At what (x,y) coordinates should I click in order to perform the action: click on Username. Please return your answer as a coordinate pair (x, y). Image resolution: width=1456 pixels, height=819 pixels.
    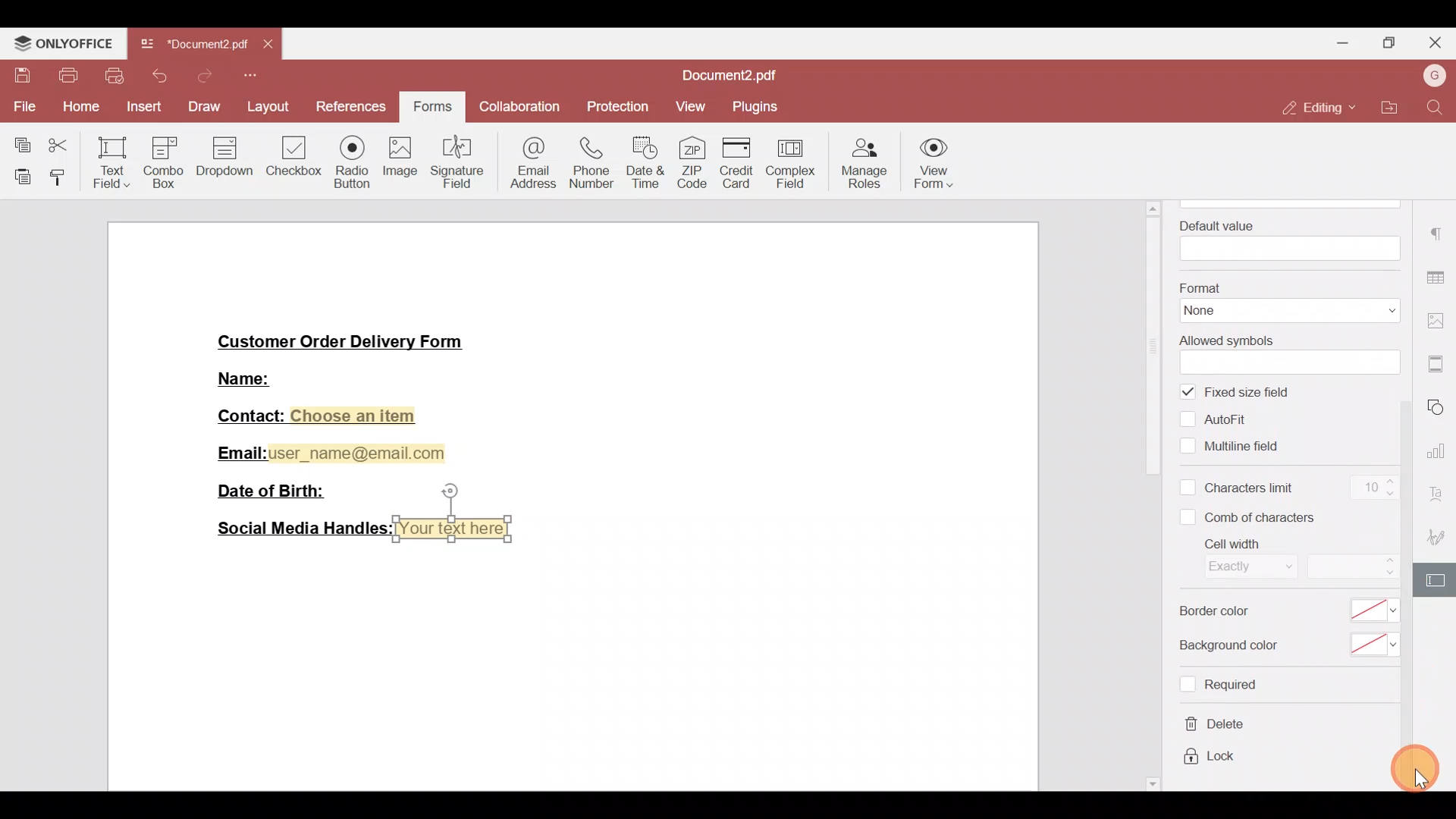
    Looking at the image, I should click on (1432, 77).